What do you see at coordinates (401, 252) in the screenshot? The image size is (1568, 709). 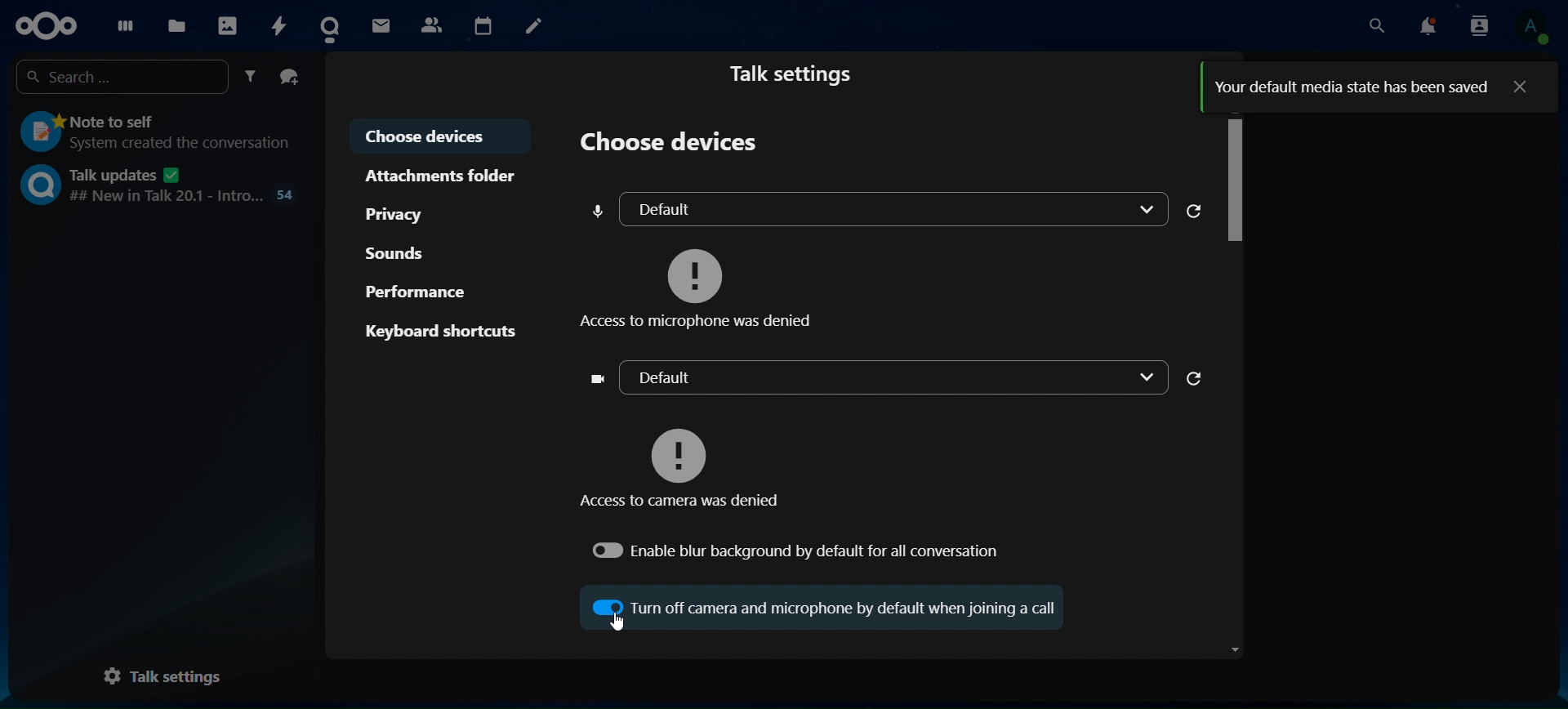 I see `sounds` at bounding box center [401, 252].